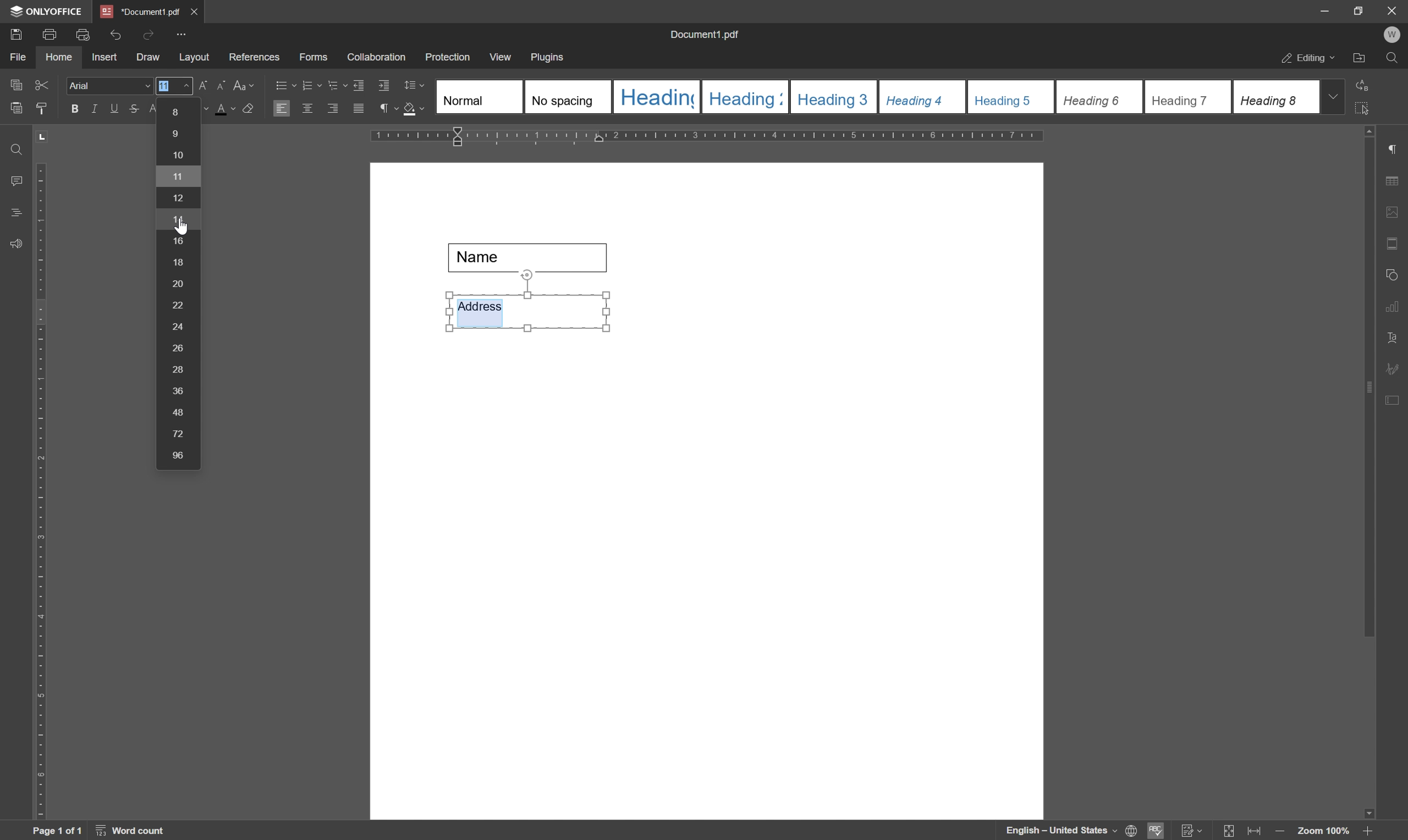 The width and height of the screenshot is (1408, 840). What do you see at coordinates (183, 34) in the screenshot?
I see `customize quick access toolbar` at bounding box center [183, 34].